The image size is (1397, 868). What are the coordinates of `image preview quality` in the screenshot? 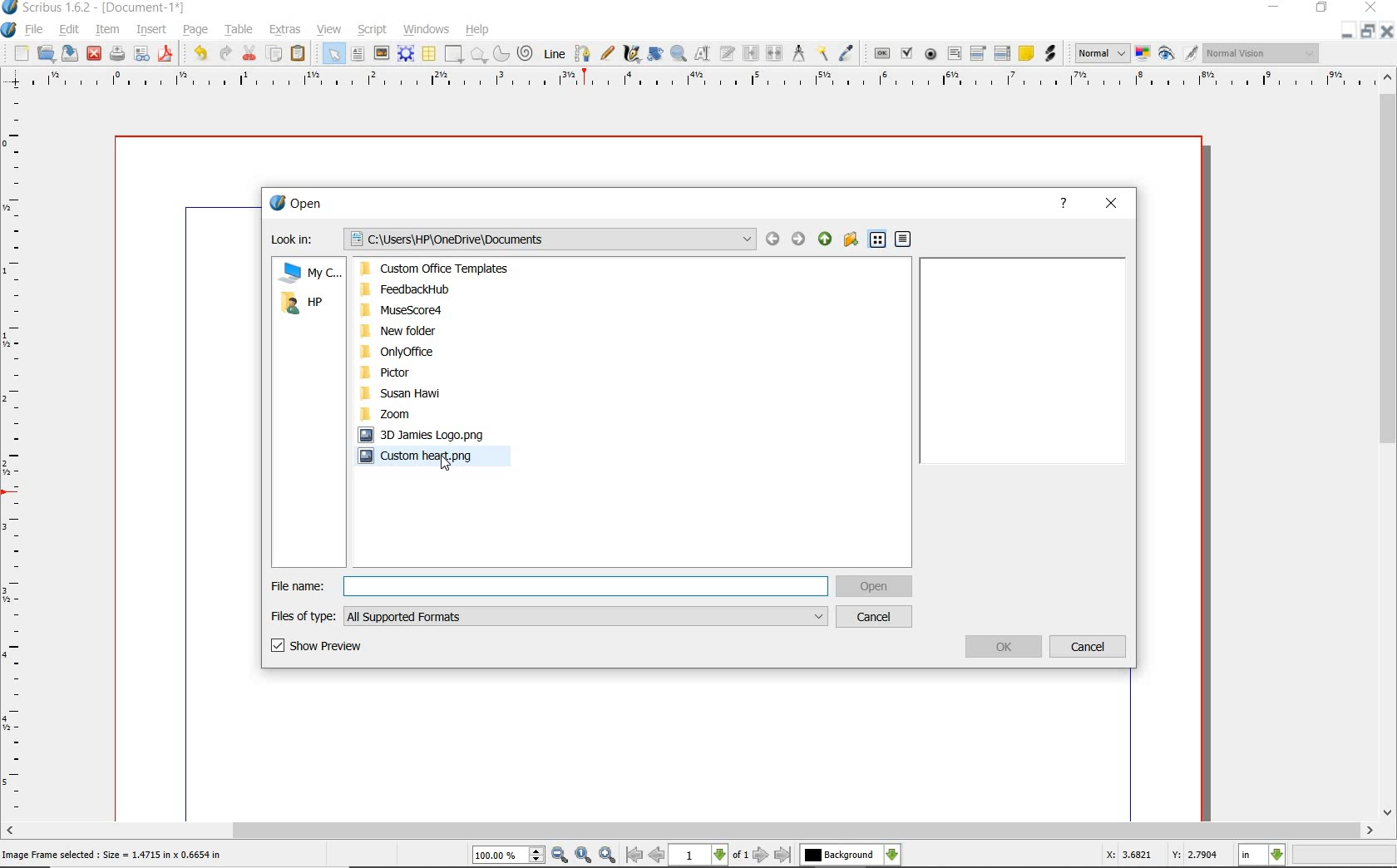 It's located at (1101, 52).